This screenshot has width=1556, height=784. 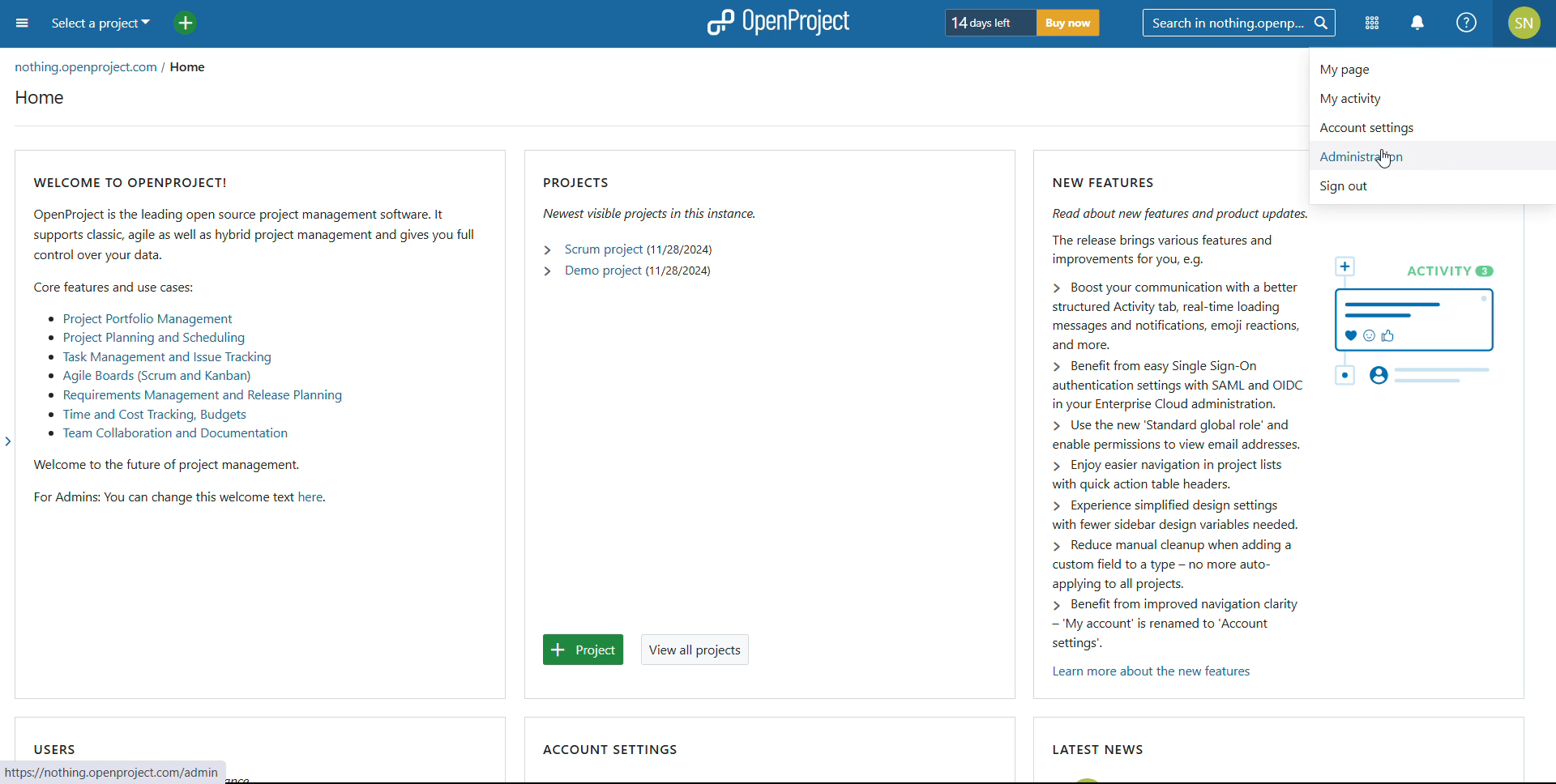 I want to click on add project, so click(x=583, y=650).